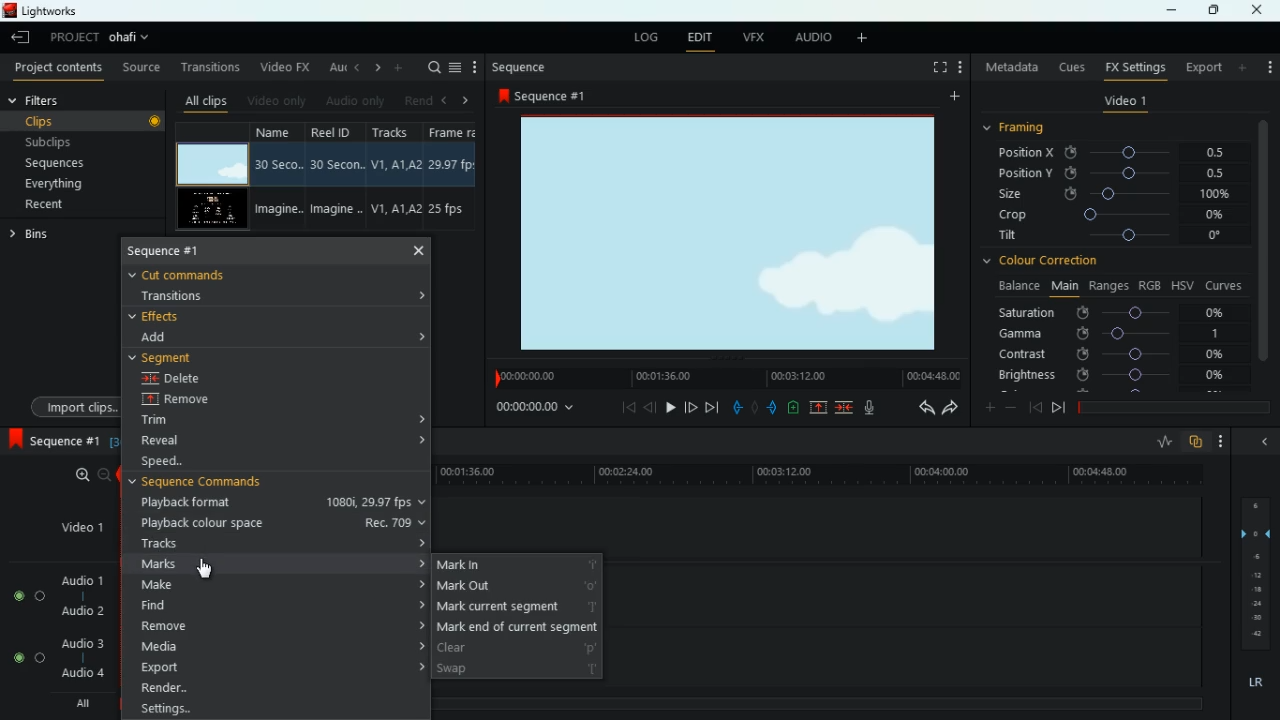 The height and width of the screenshot is (720, 1280). Describe the element at coordinates (374, 69) in the screenshot. I see `right` at that location.